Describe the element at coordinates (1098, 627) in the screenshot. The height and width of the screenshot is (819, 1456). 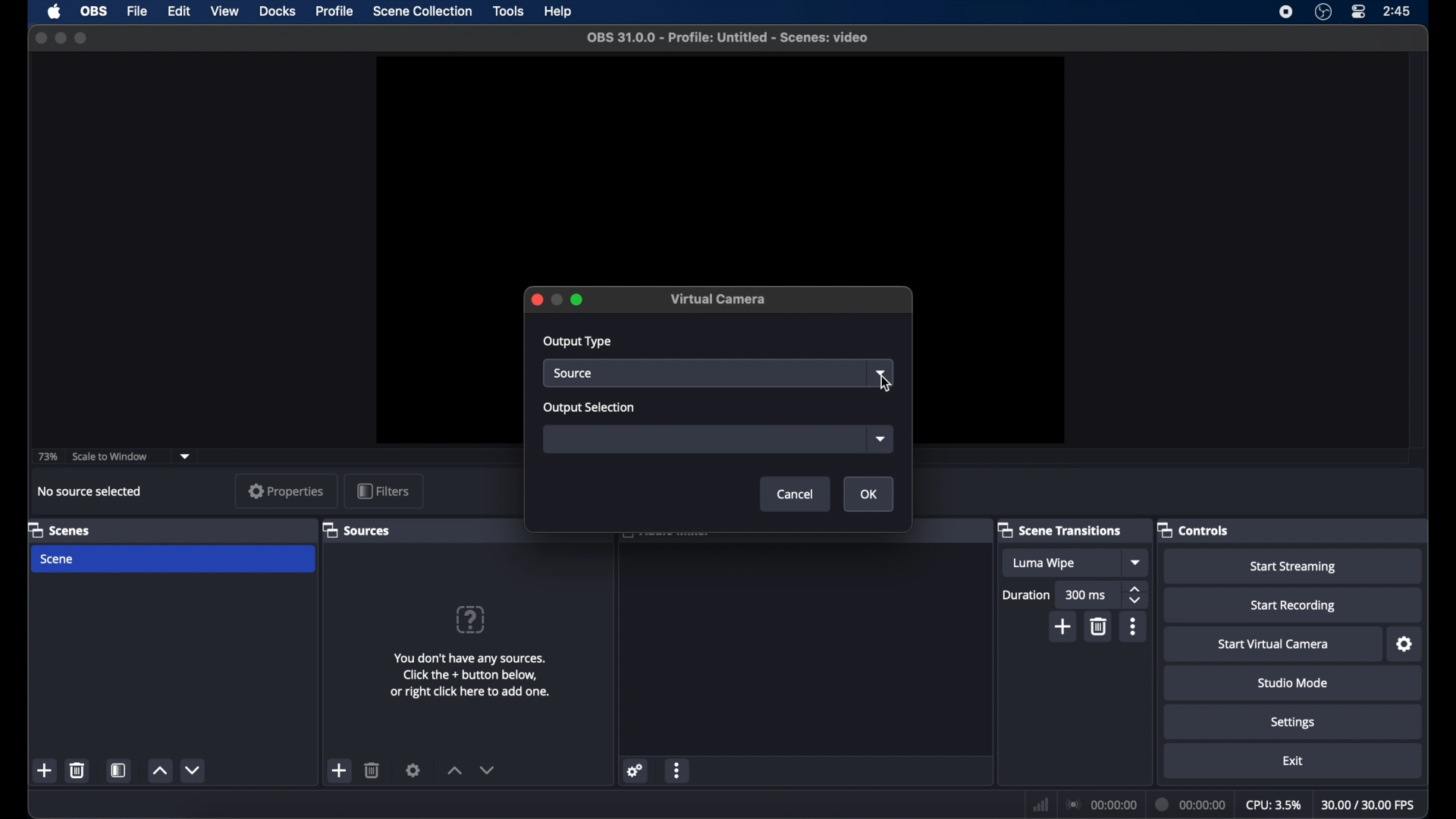
I see `delete` at that location.